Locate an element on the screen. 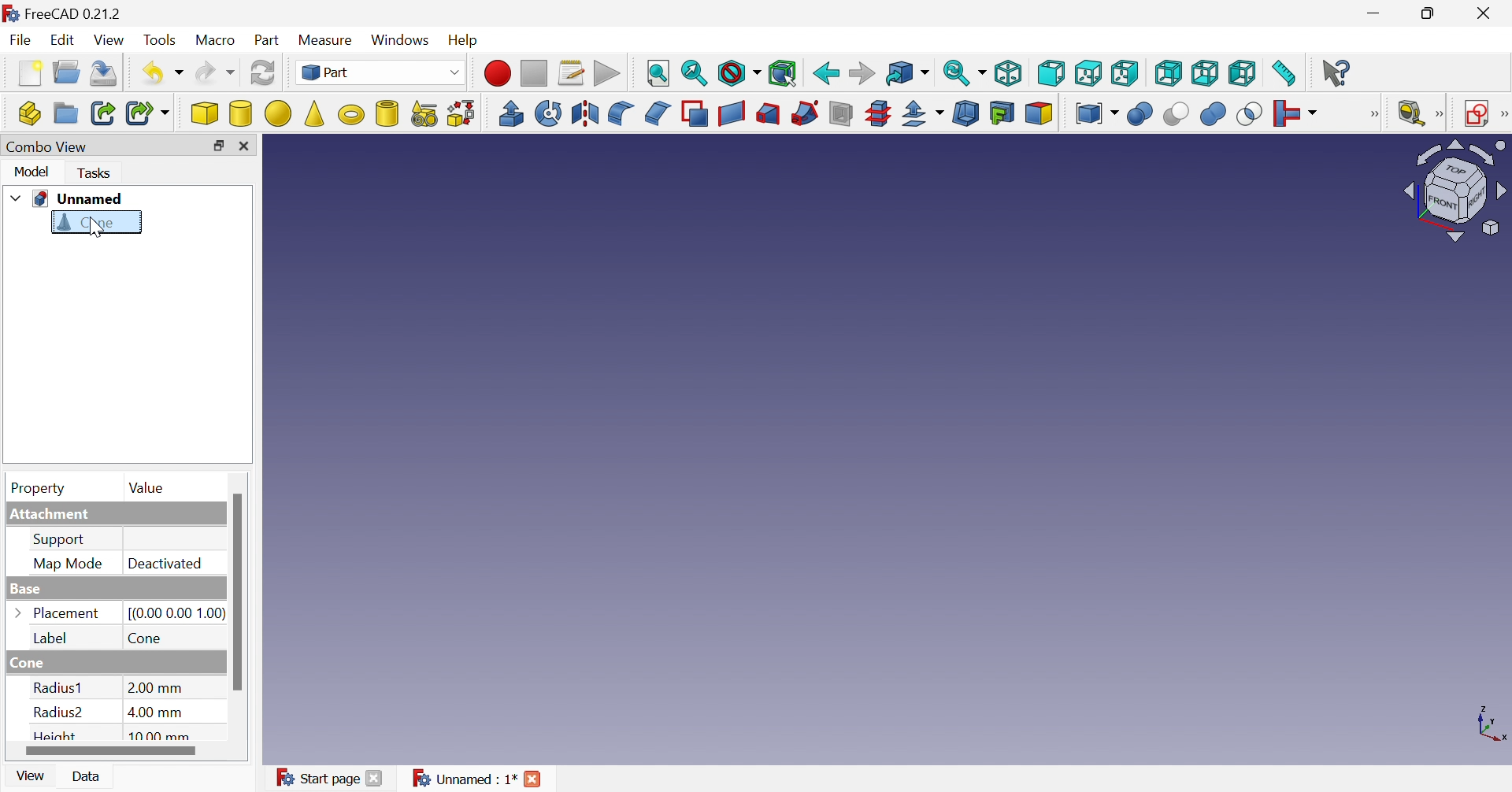 The height and width of the screenshot is (792, 1512). Offset: is located at coordinates (924, 114).